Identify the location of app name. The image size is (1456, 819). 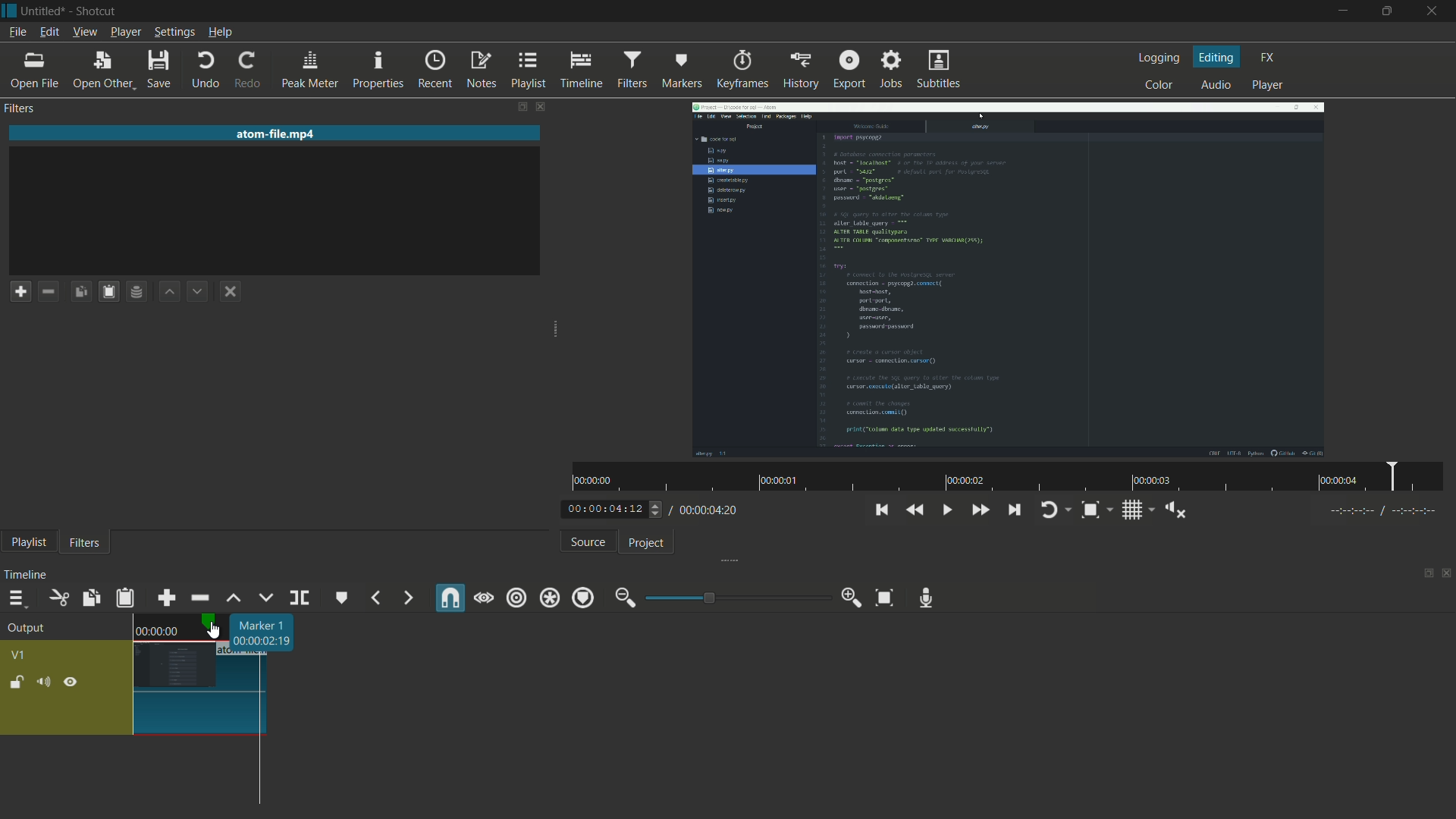
(96, 11).